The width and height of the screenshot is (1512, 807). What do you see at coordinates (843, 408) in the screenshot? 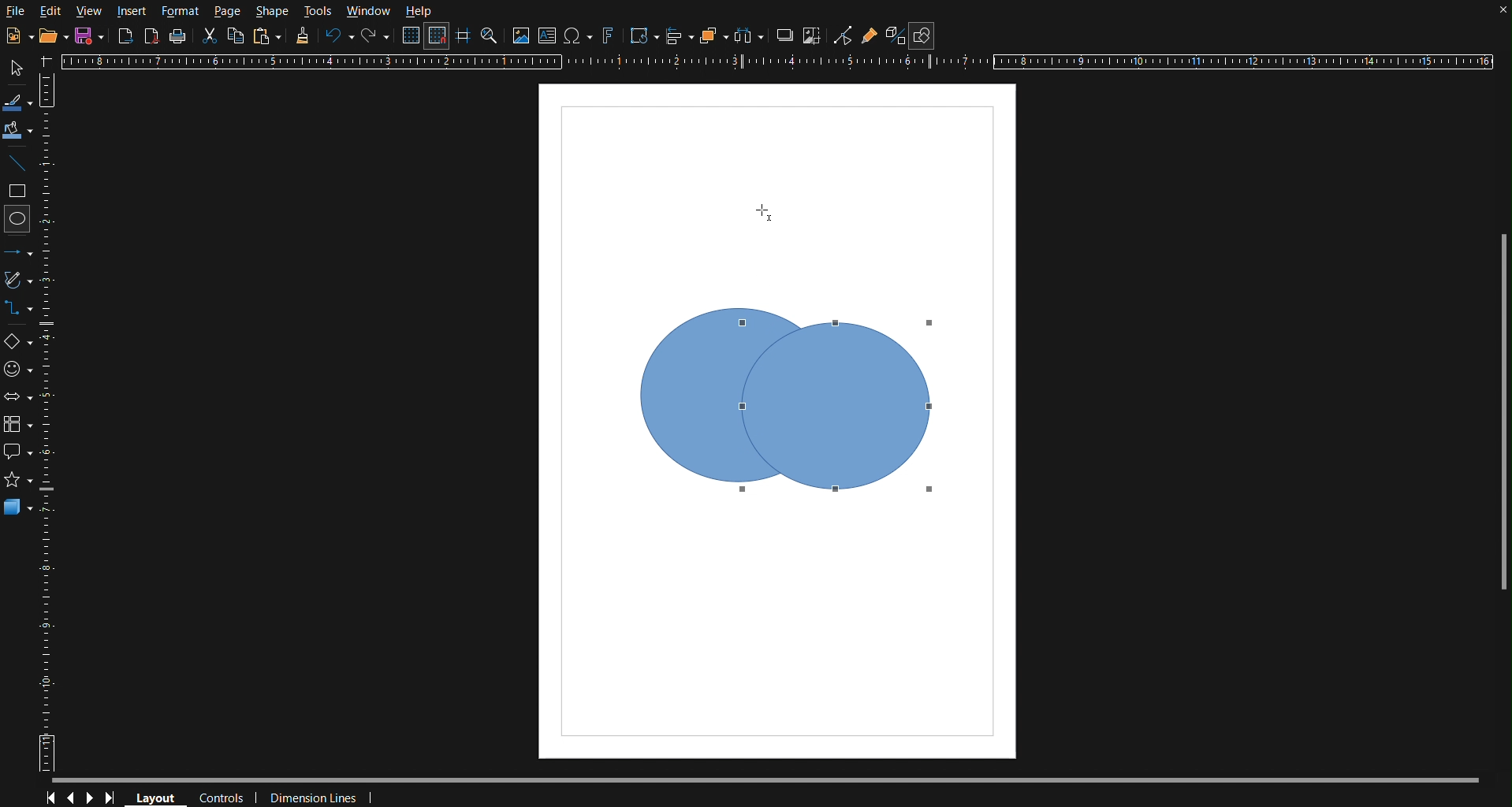
I see `Shape Box 2` at bounding box center [843, 408].